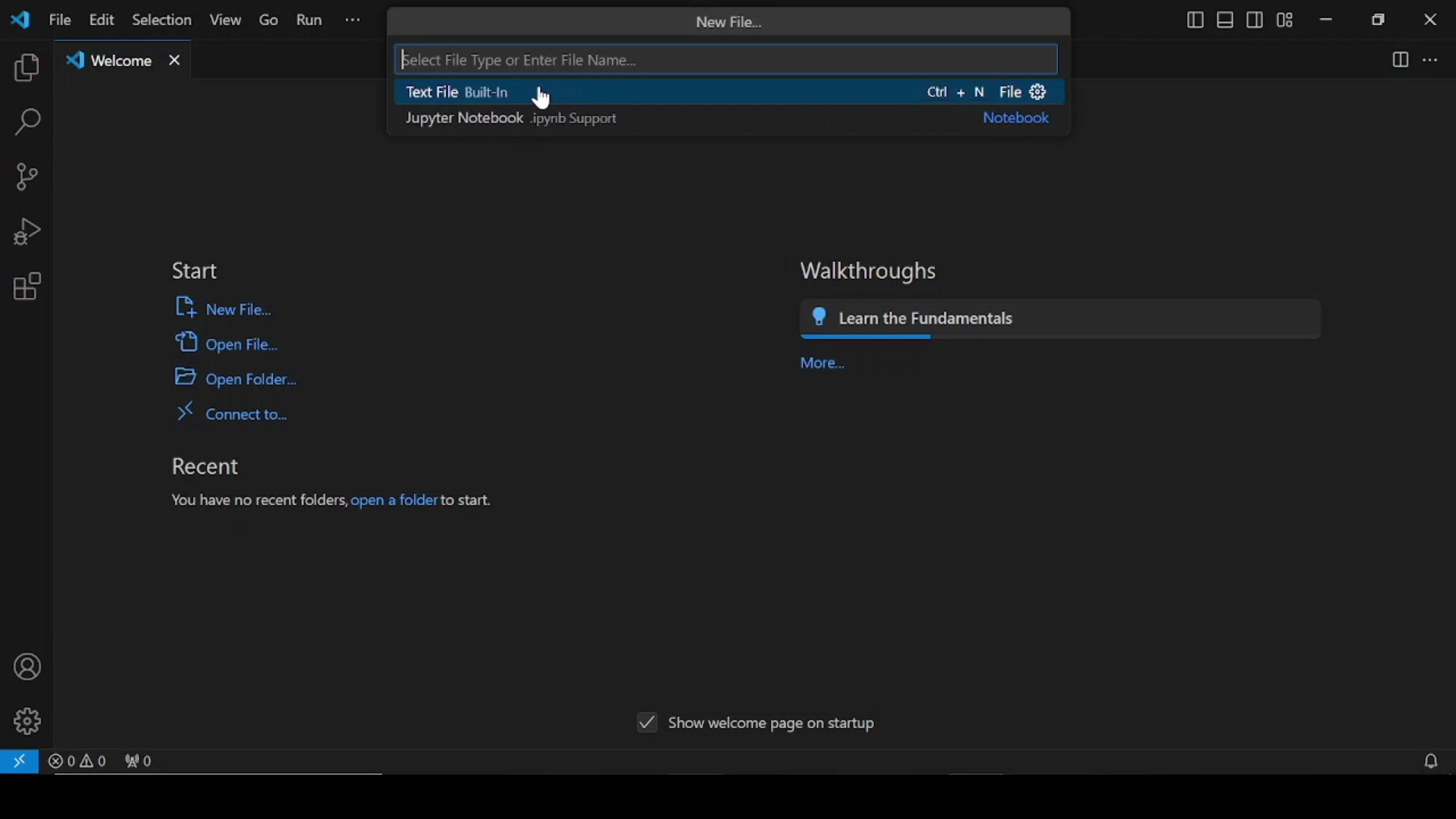  I want to click on explorer, so click(27, 69).